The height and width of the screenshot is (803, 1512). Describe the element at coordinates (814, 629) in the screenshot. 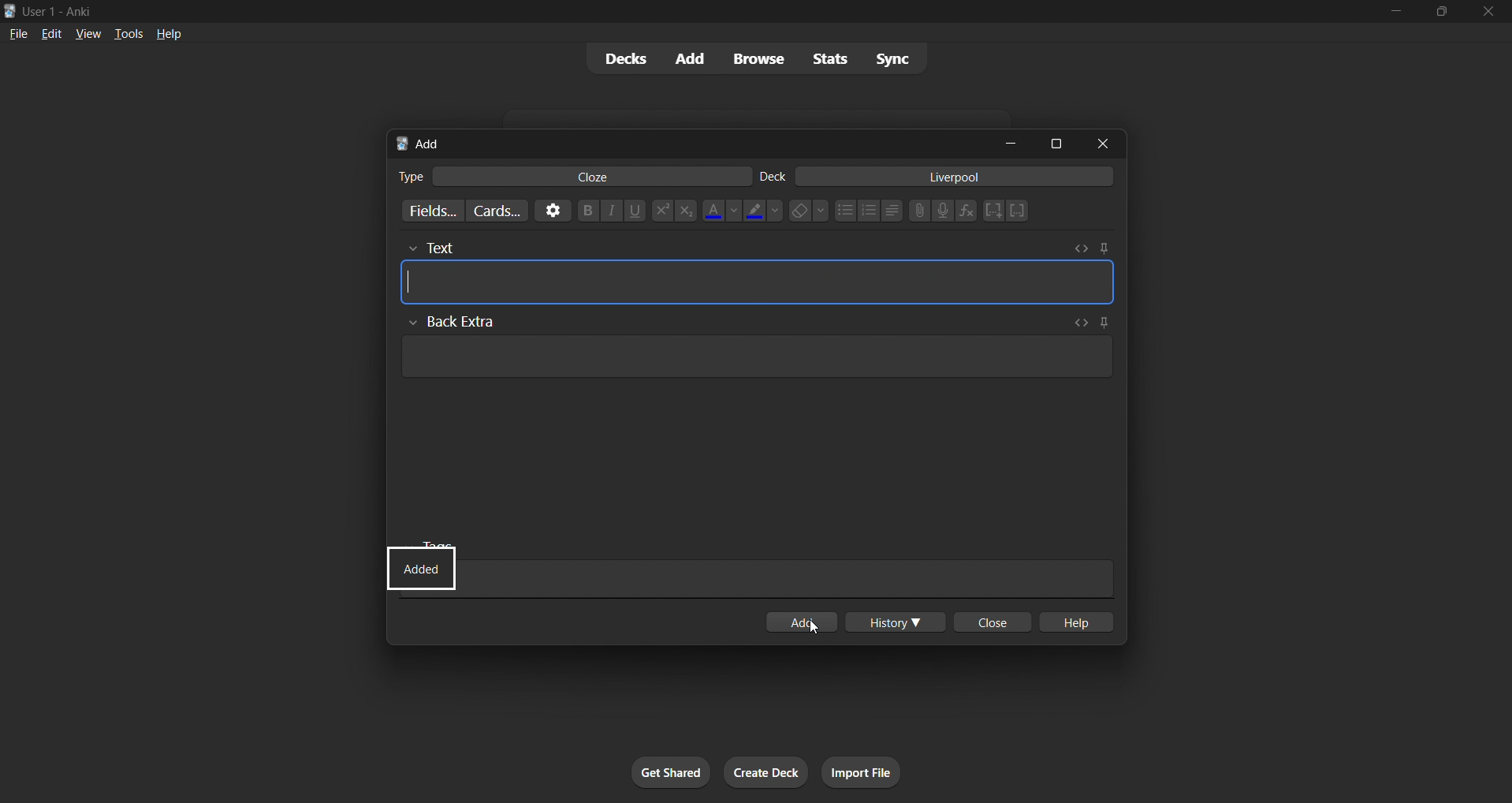

I see `cursor` at that location.